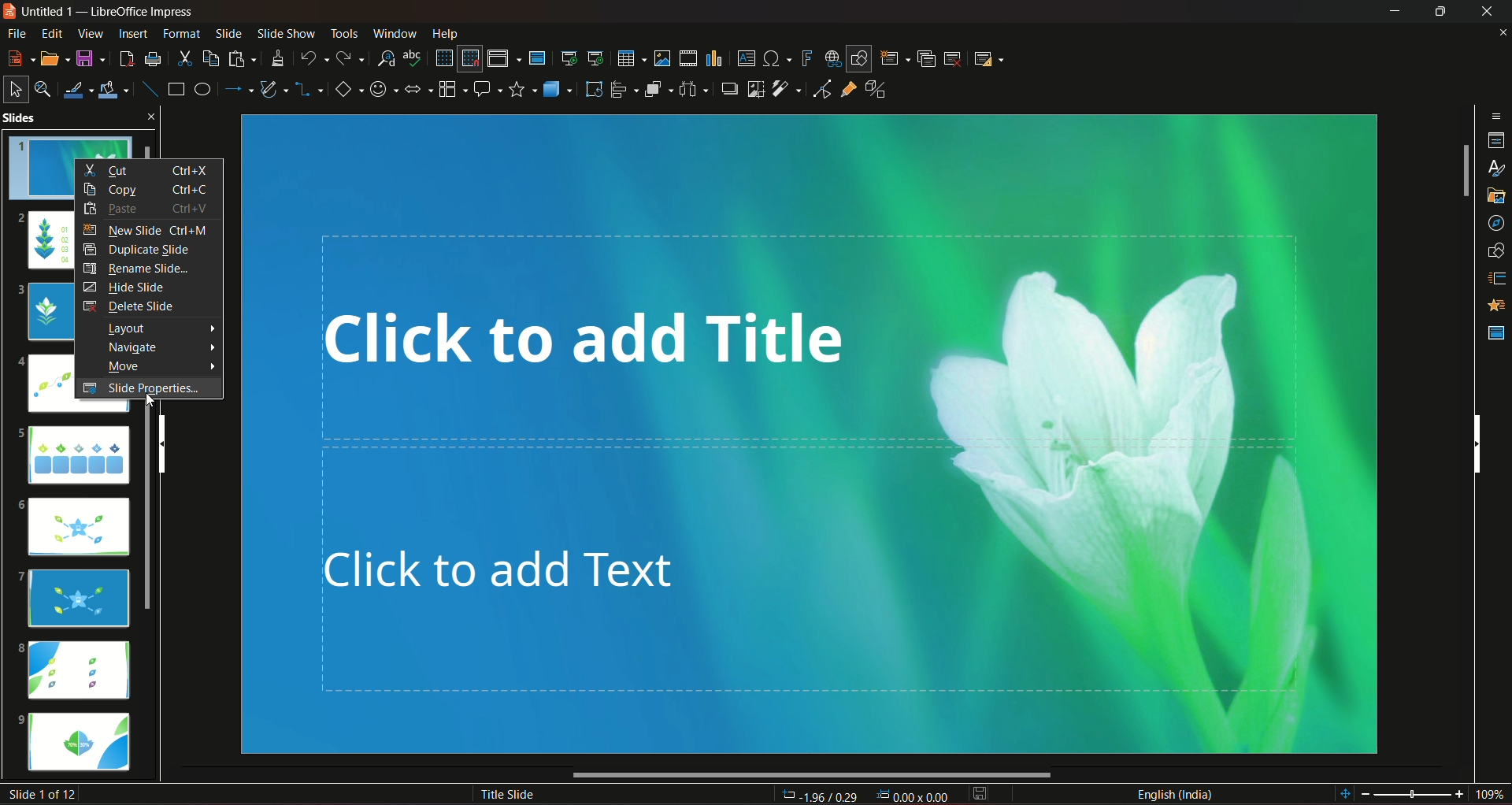  Describe the element at coordinates (352, 57) in the screenshot. I see `redo` at that location.